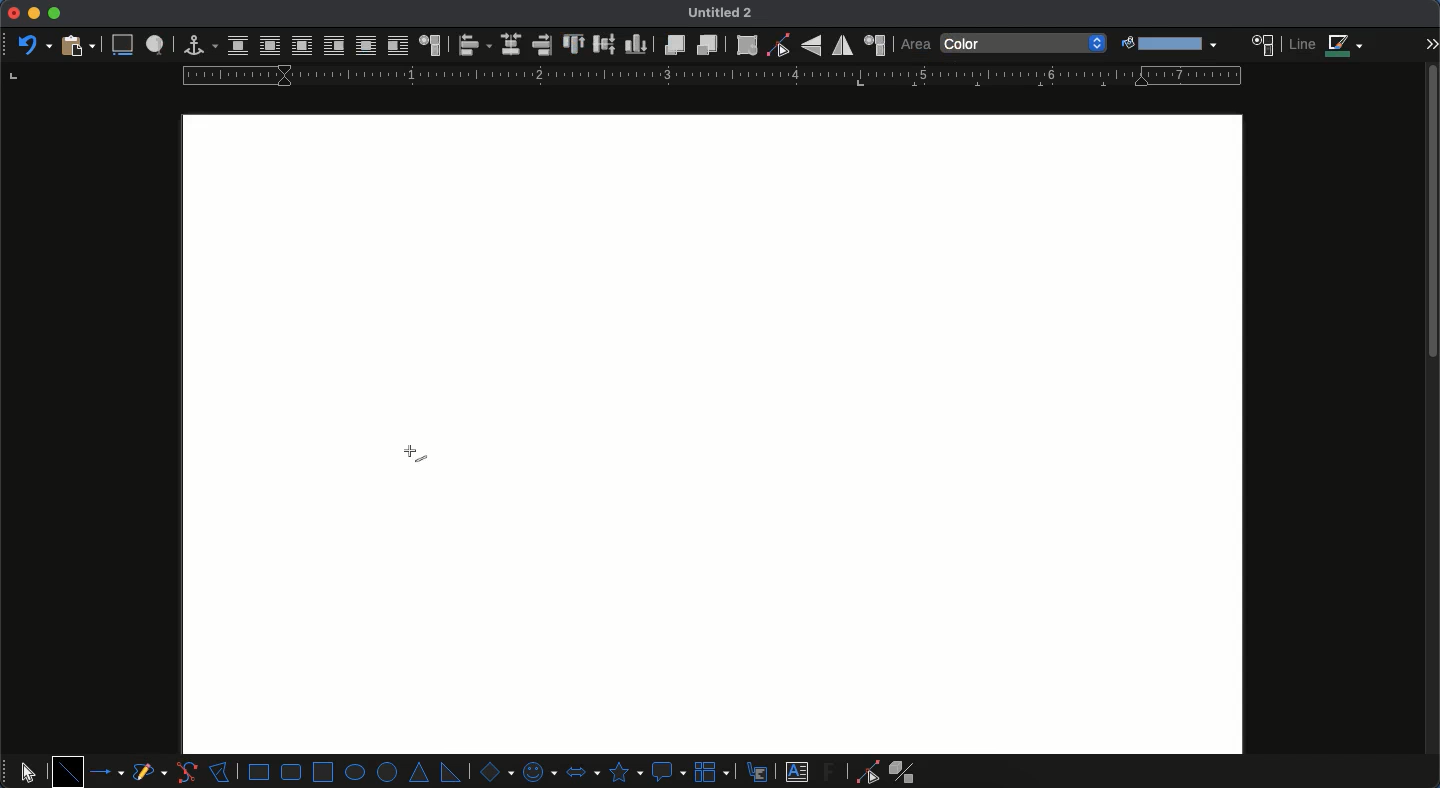 Image resolution: width=1440 pixels, height=788 pixels. What do you see at coordinates (150, 773) in the screenshot?
I see `curves and polygons` at bounding box center [150, 773].